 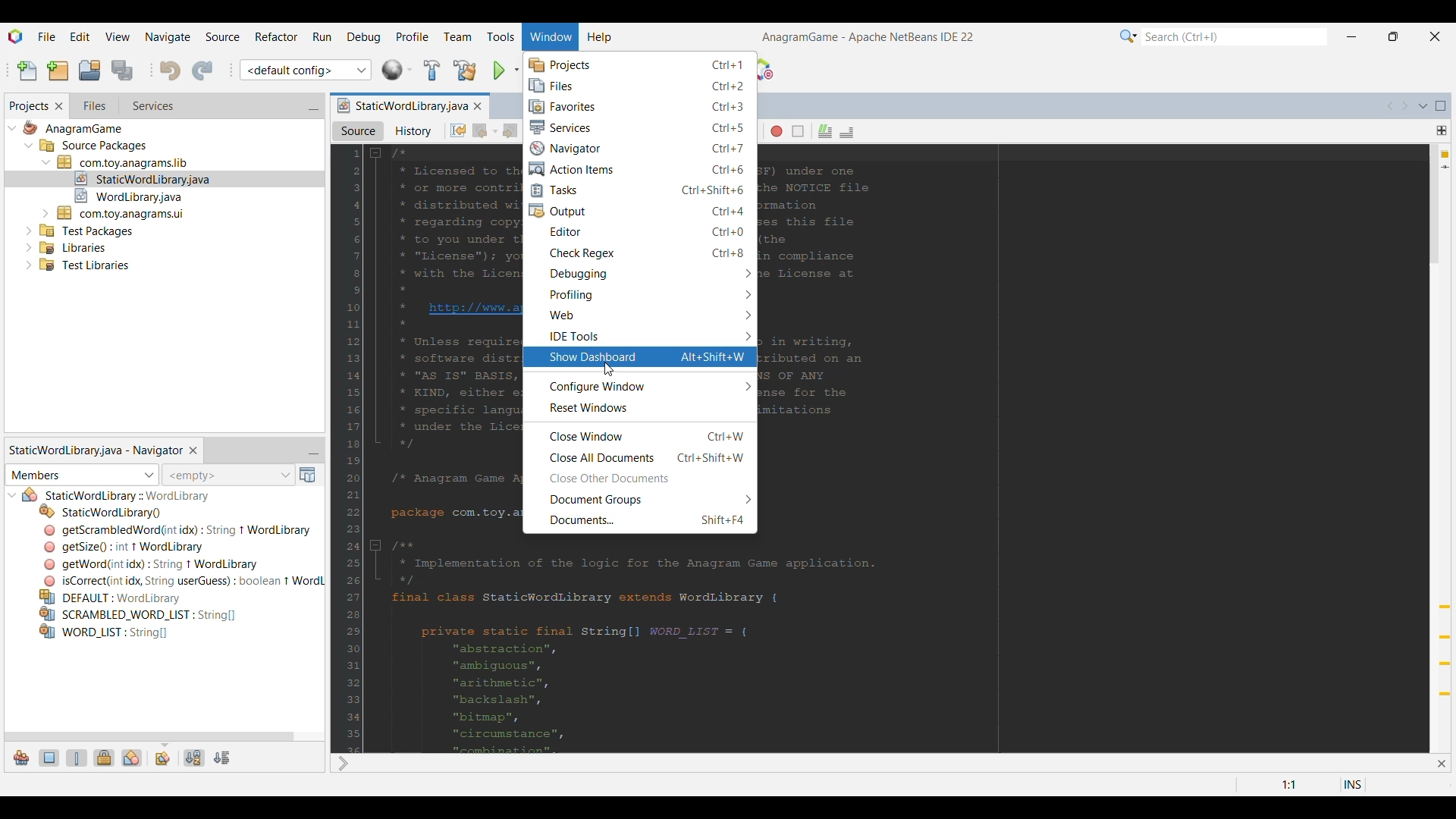 What do you see at coordinates (868, 37) in the screenshot?
I see `Current project and software name` at bounding box center [868, 37].